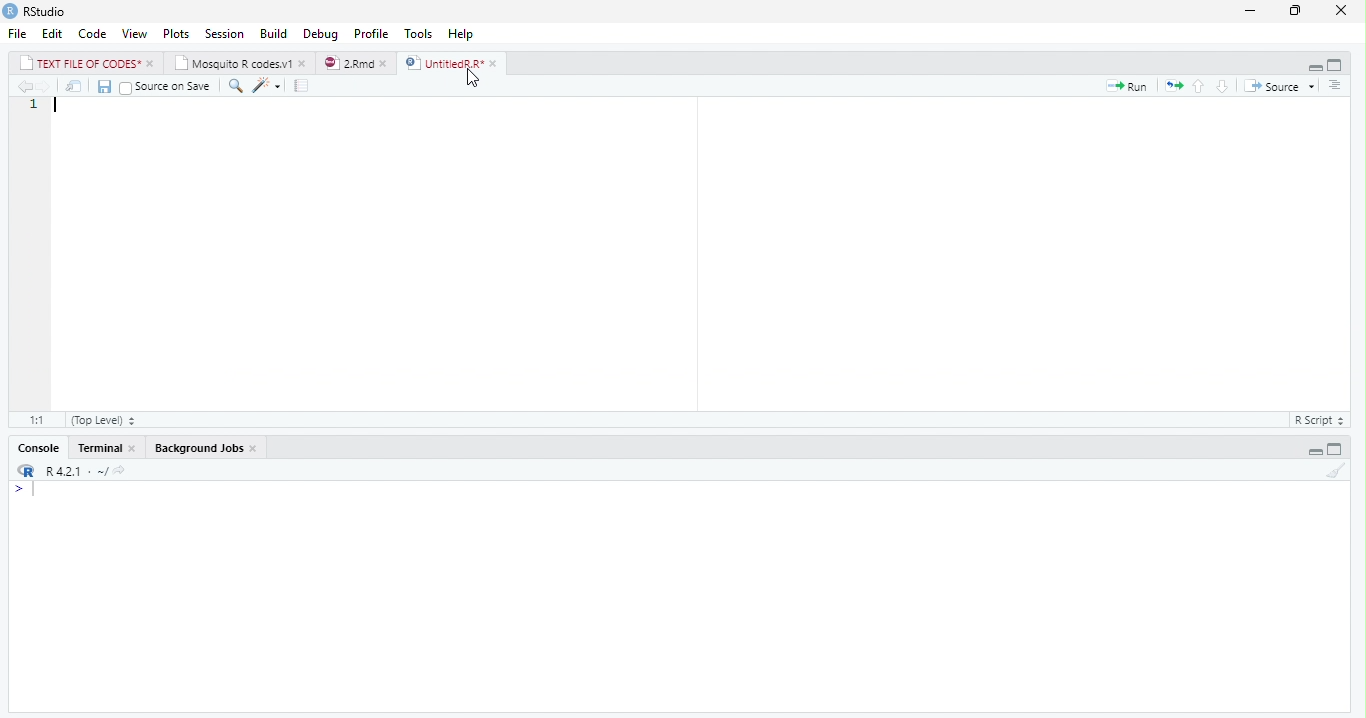 This screenshot has width=1366, height=718. What do you see at coordinates (76, 87) in the screenshot?
I see `show in new window` at bounding box center [76, 87].